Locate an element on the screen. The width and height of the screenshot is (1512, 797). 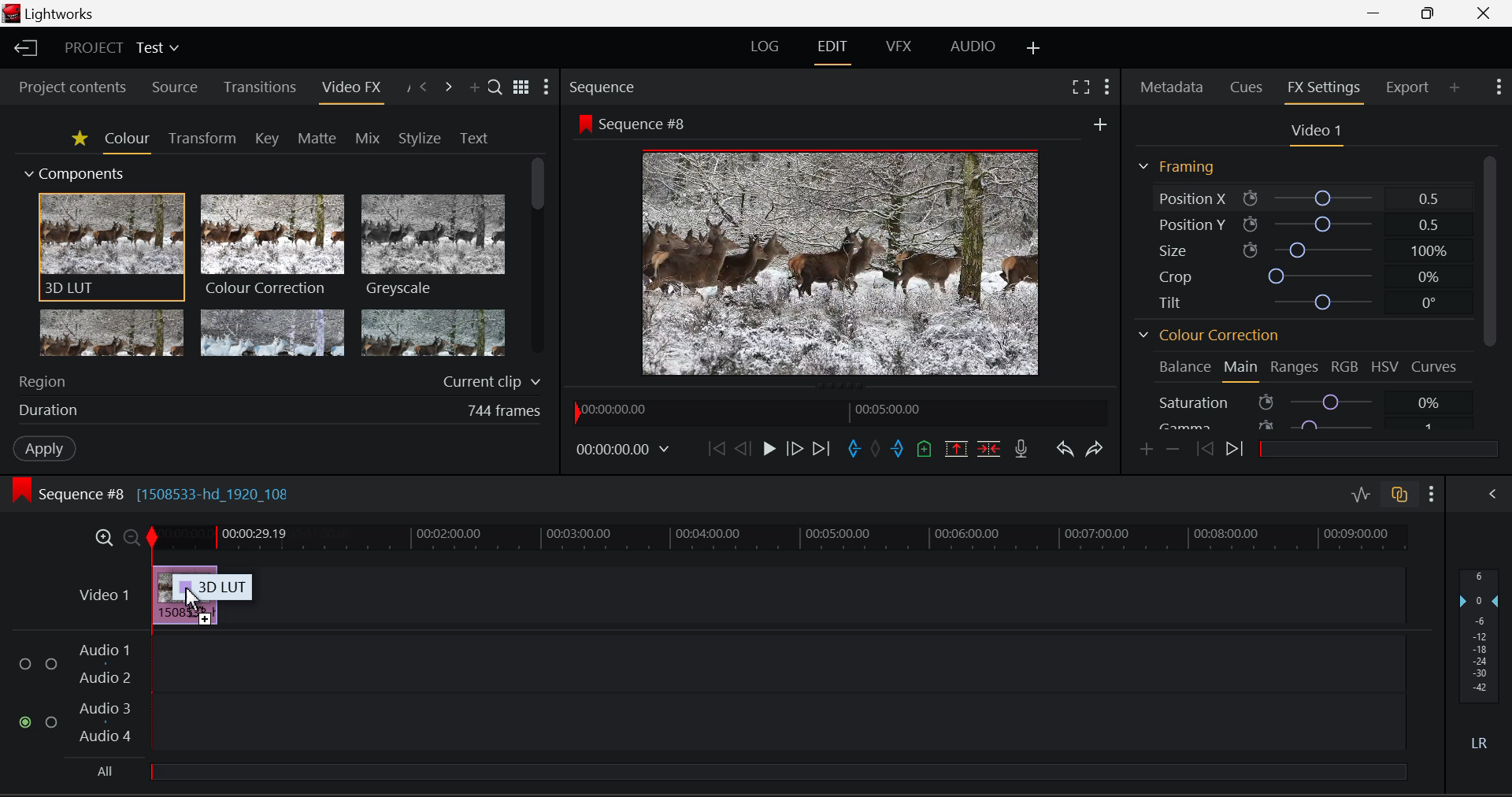
Audio4 is located at coordinates (106, 736).